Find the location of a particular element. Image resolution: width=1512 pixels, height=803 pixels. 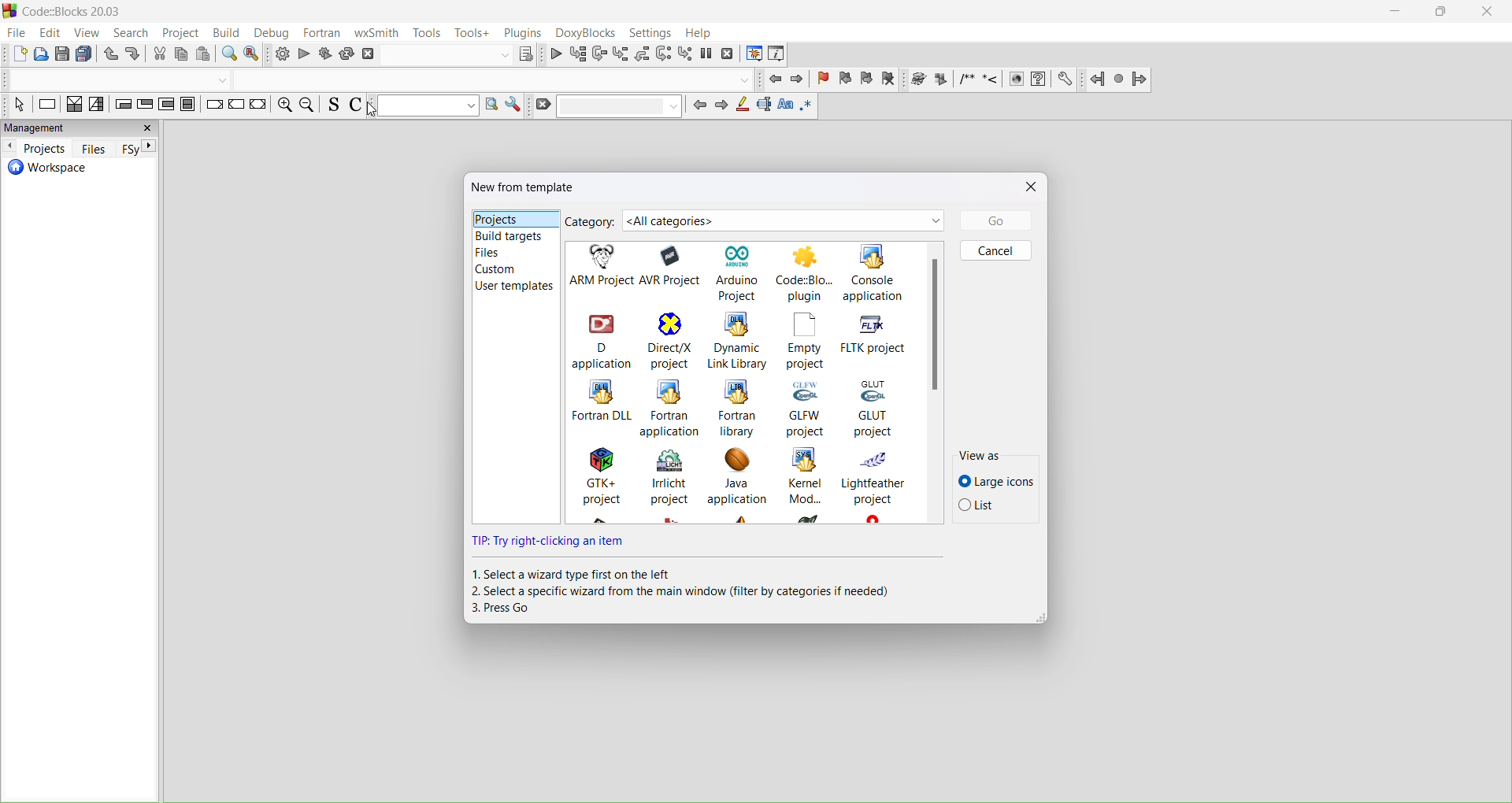

zoom in is located at coordinates (283, 107).